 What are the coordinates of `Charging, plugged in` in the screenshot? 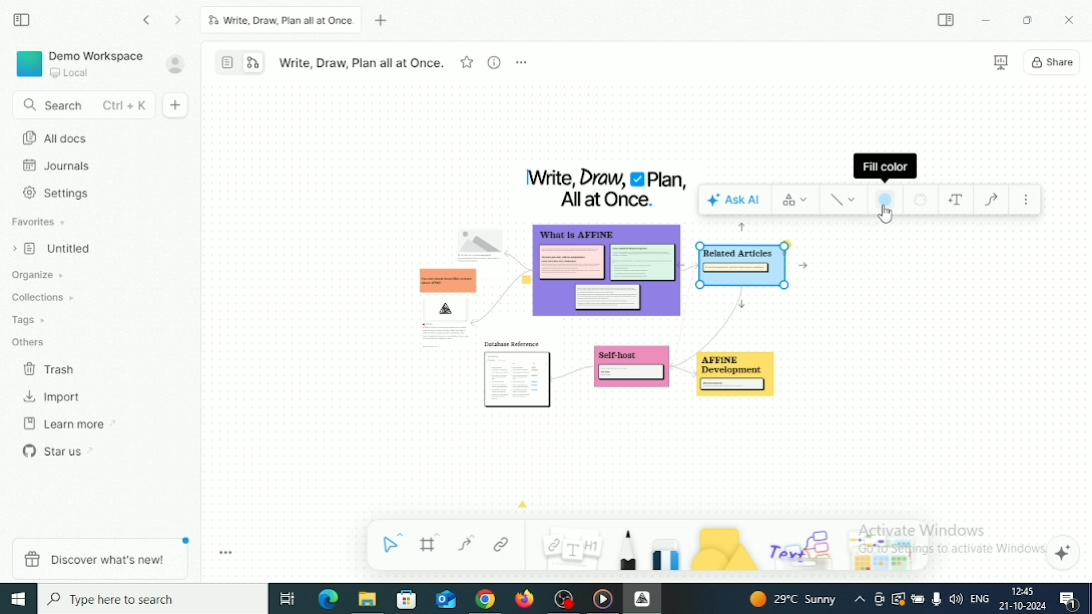 It's located at (918, 597).